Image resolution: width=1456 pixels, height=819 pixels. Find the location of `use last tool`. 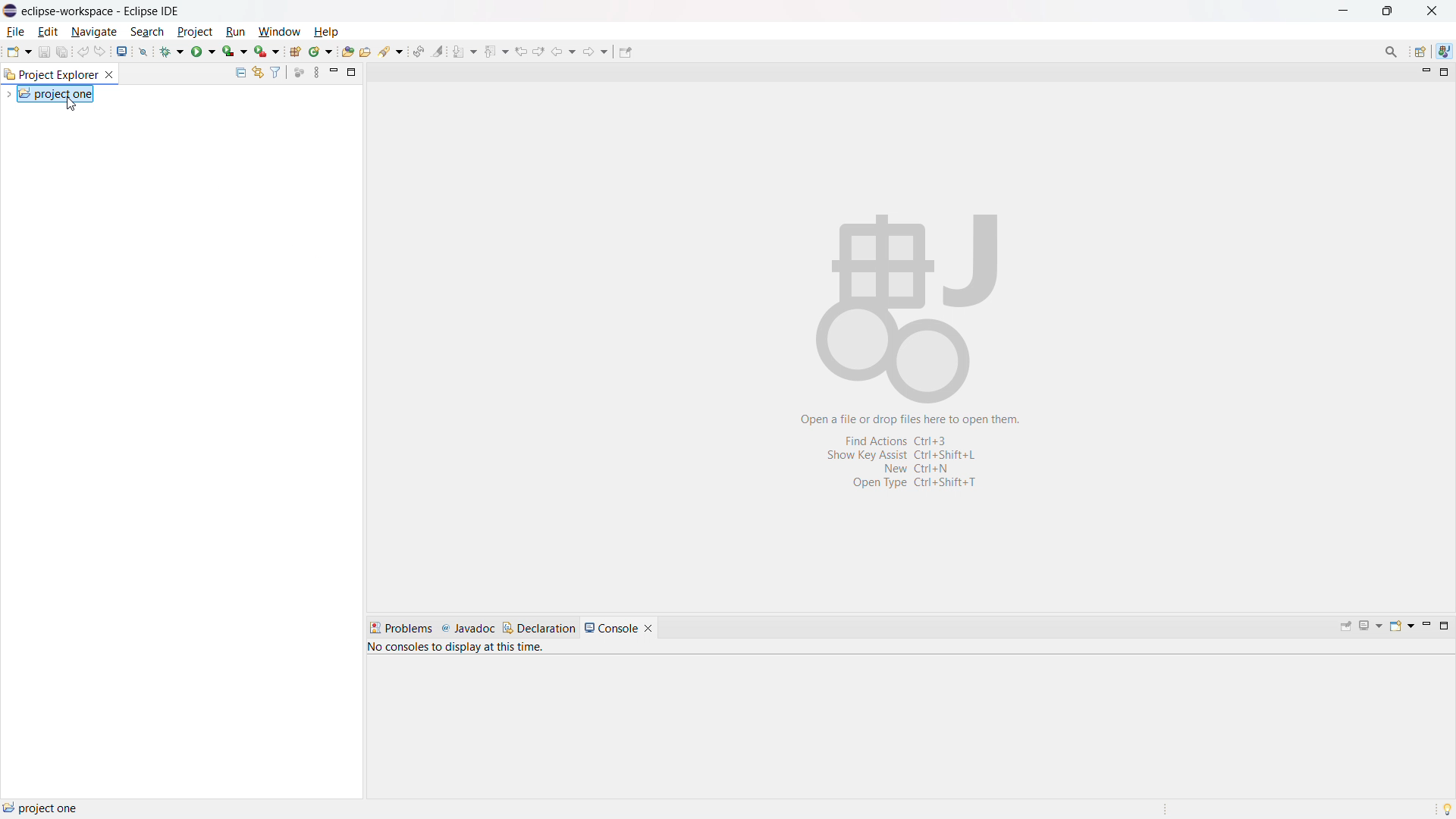

use last tool is located at coordinates (266, 52).